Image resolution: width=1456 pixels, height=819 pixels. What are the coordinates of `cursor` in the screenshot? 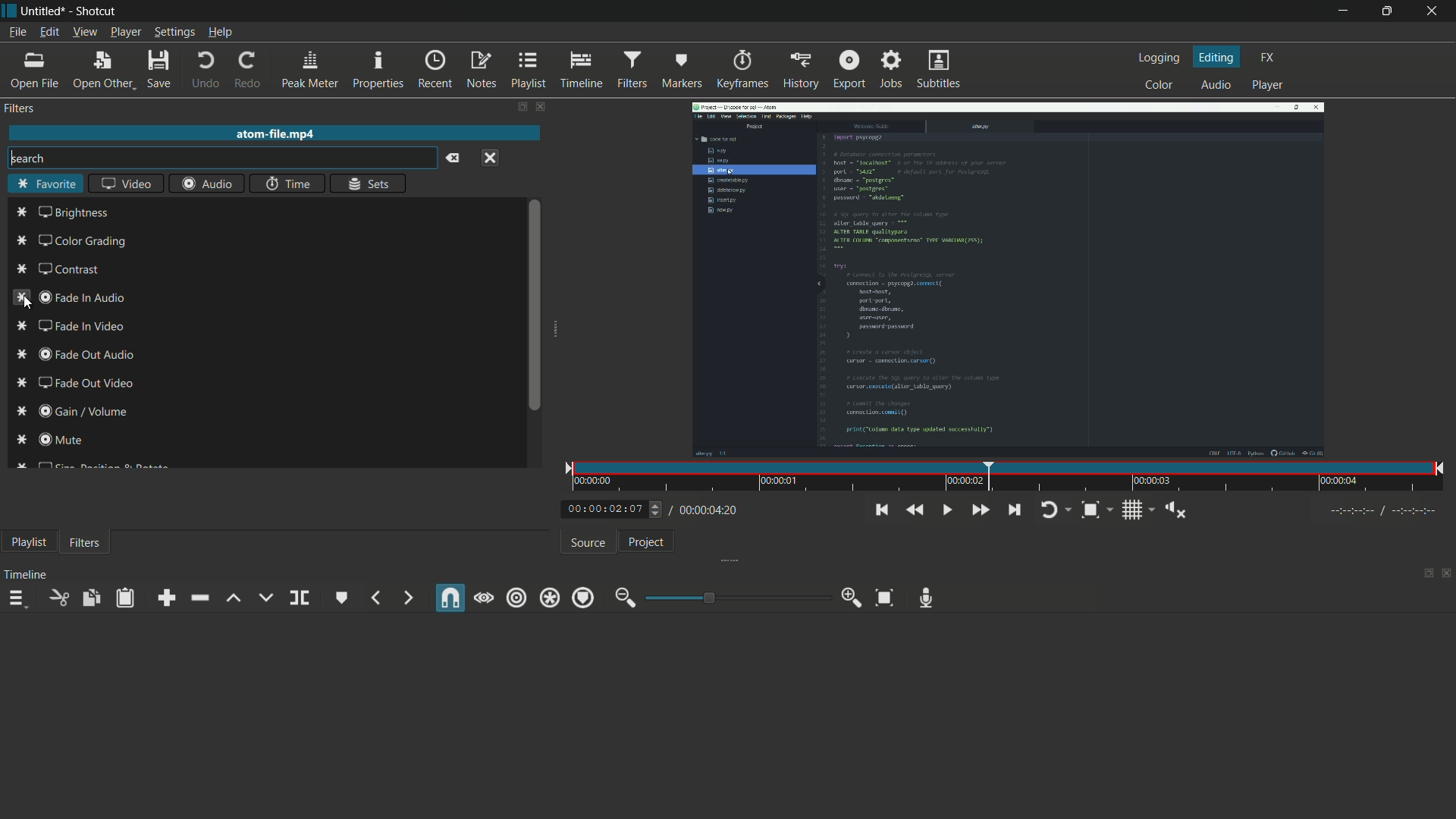 It's located at (28, 305).